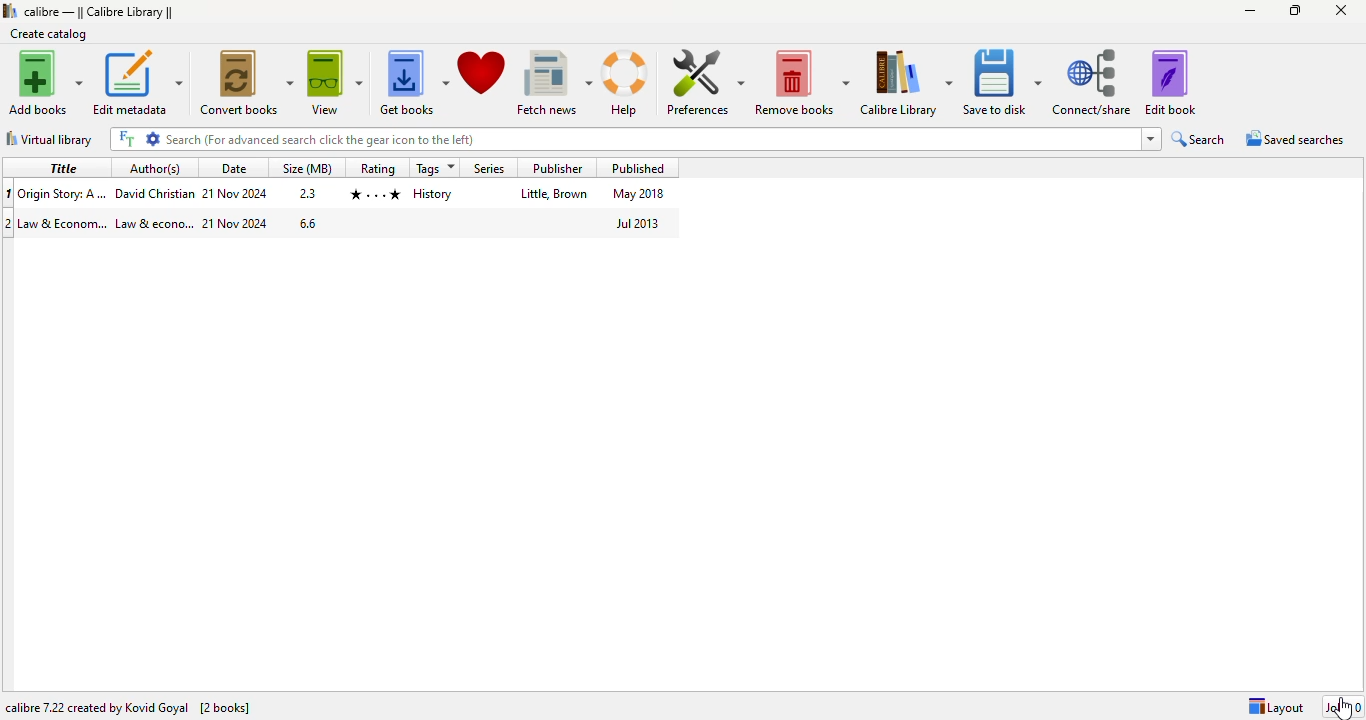 This screenshot has height=720, width=1366. What do you see at coordinates (640, 194) in the screenshot?
I see `published date` at bounding box center [640, 194].